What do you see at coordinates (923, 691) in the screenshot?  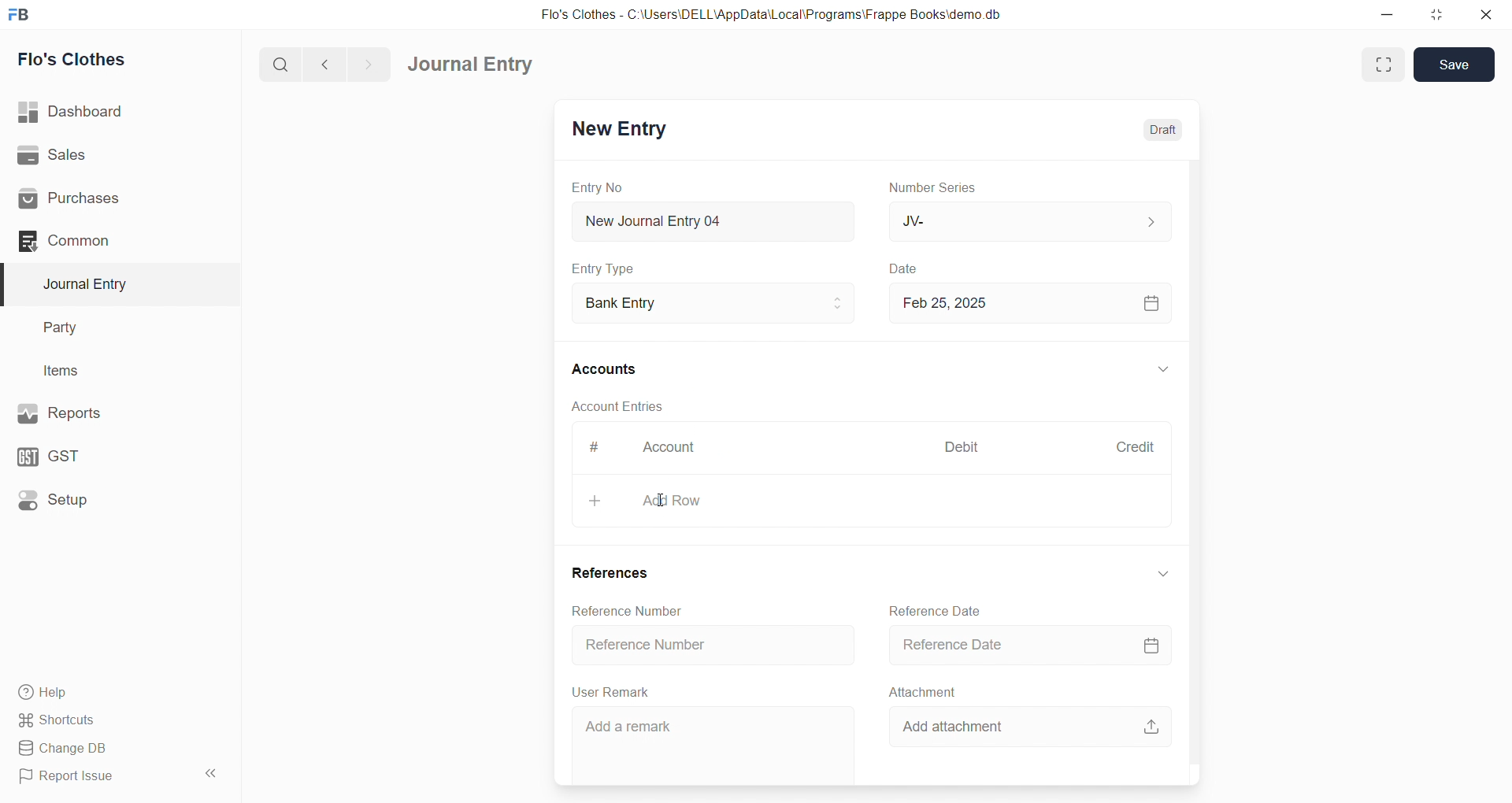 I see `Attachment` at bounding box center [923, 691].